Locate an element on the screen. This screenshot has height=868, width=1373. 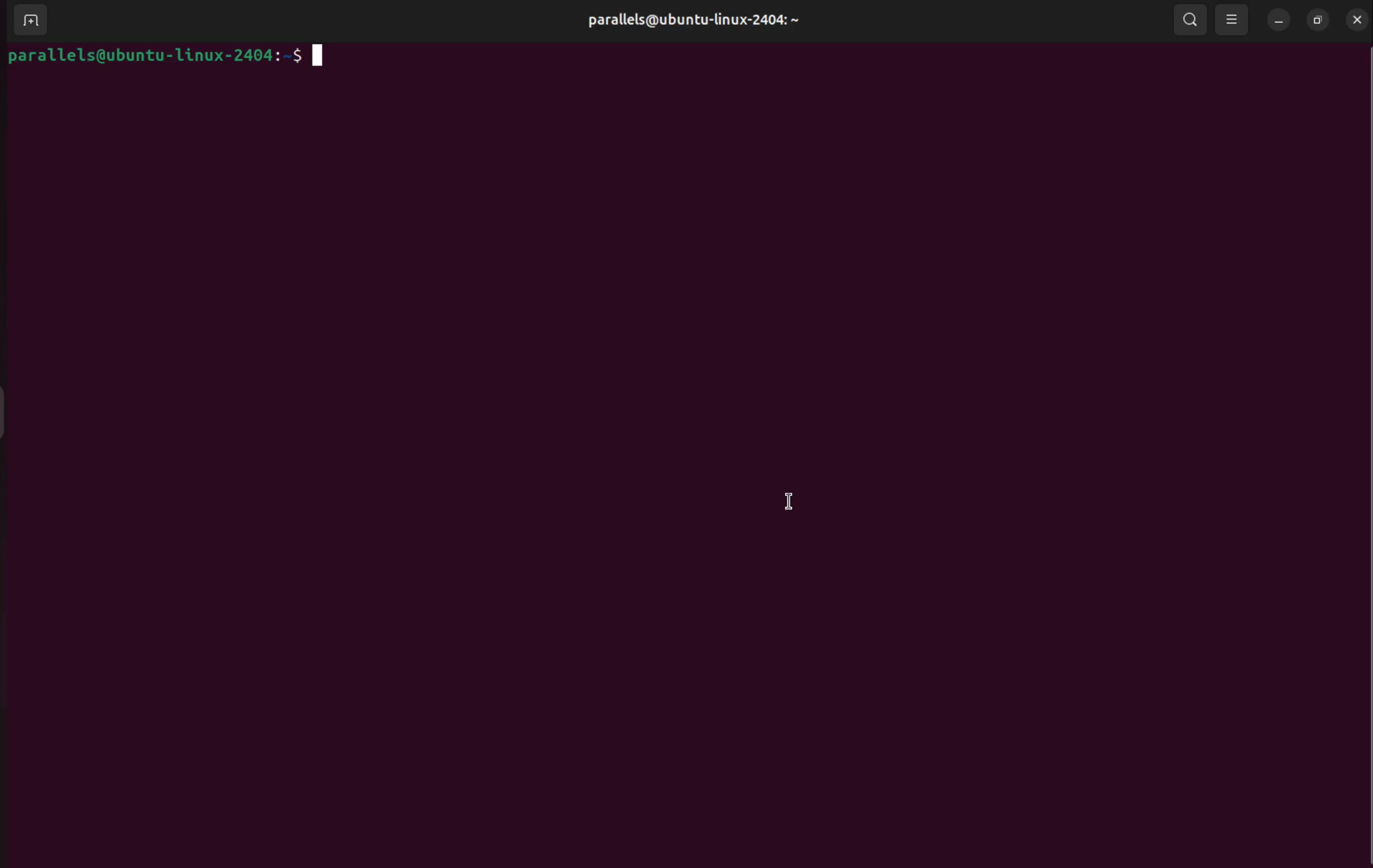
parallels is located at coordinates (705, 19).